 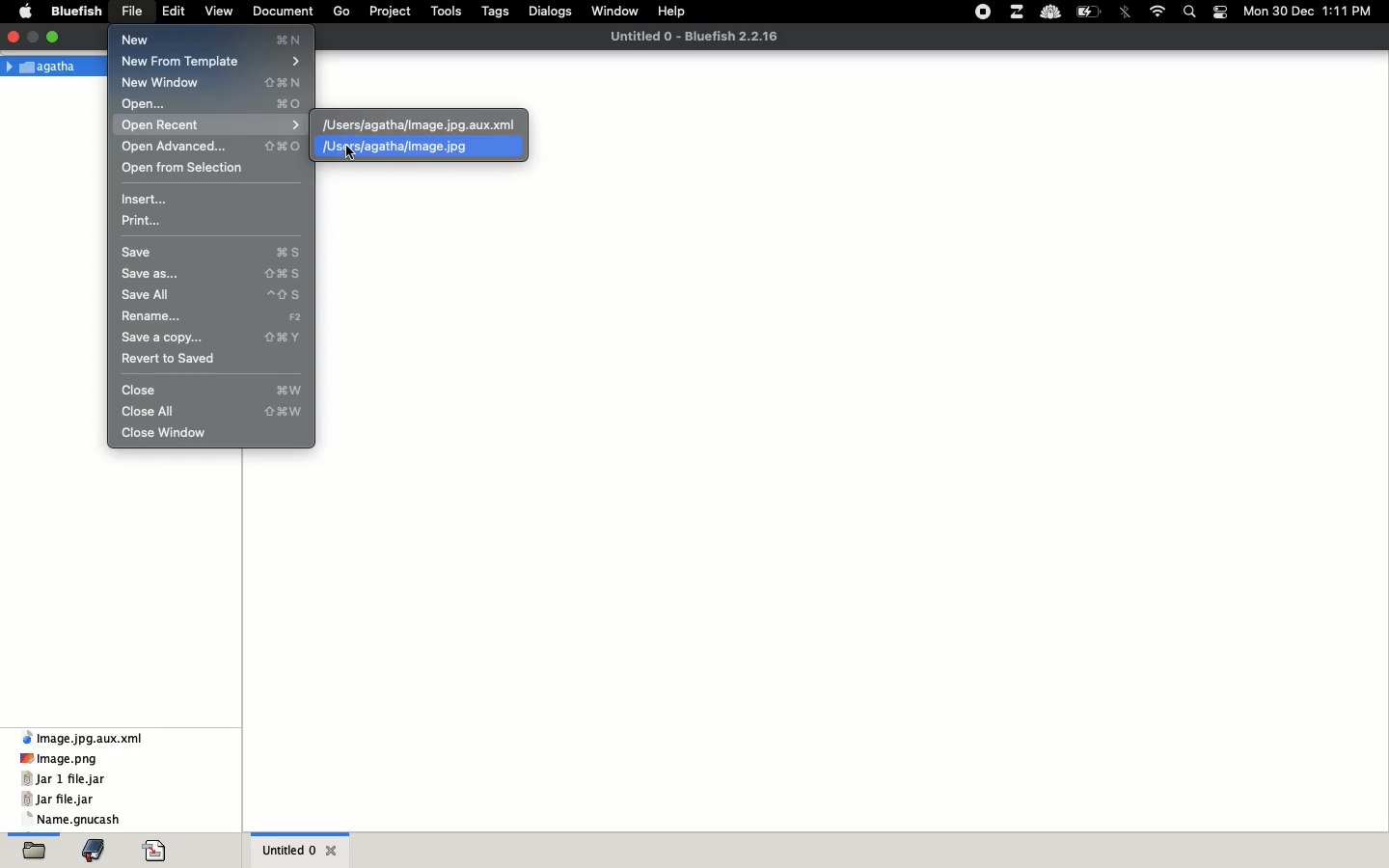 I want to click on close, so click(x=337, y=849).